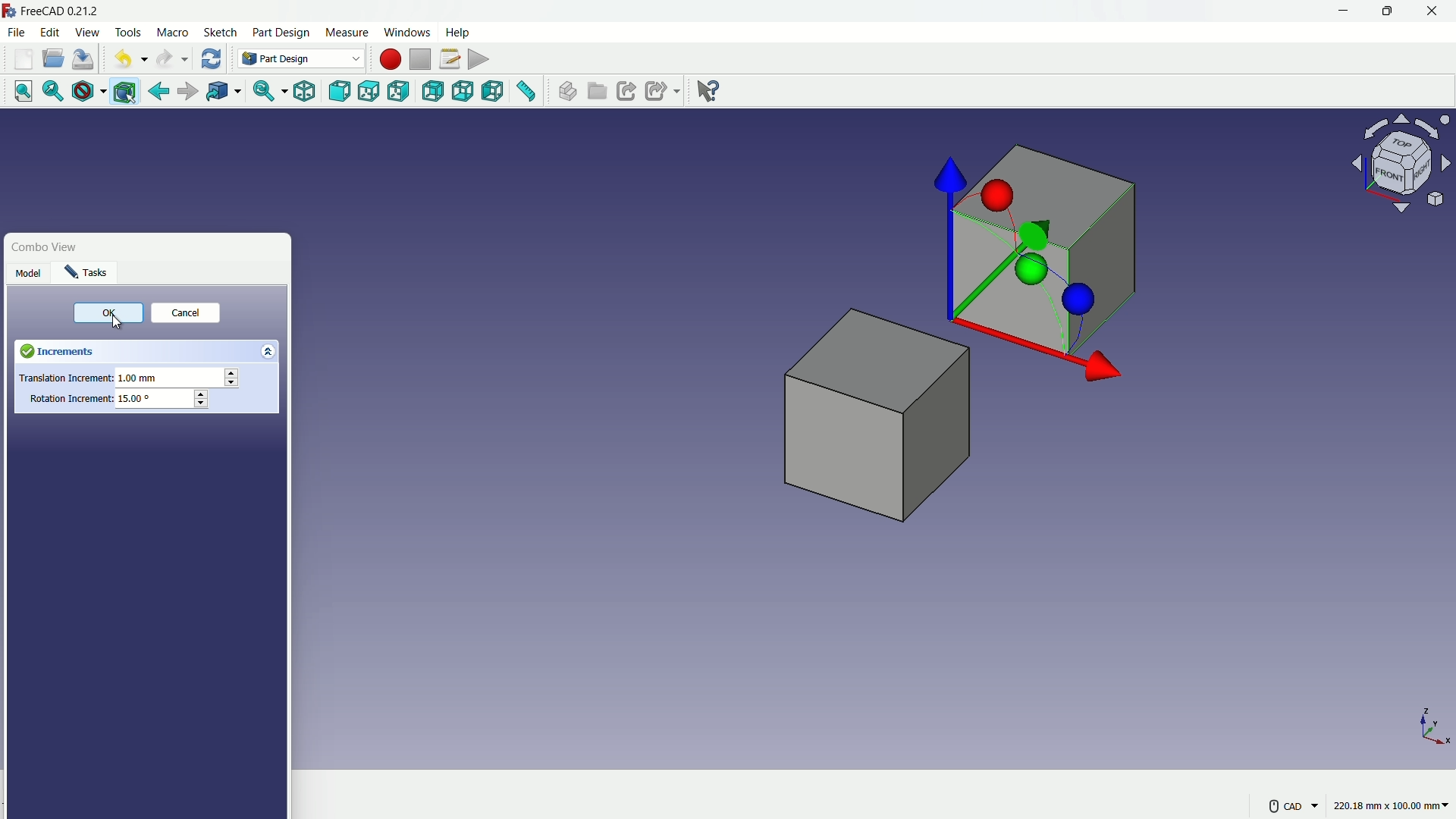  I want to click on ok, so click(103, 314).